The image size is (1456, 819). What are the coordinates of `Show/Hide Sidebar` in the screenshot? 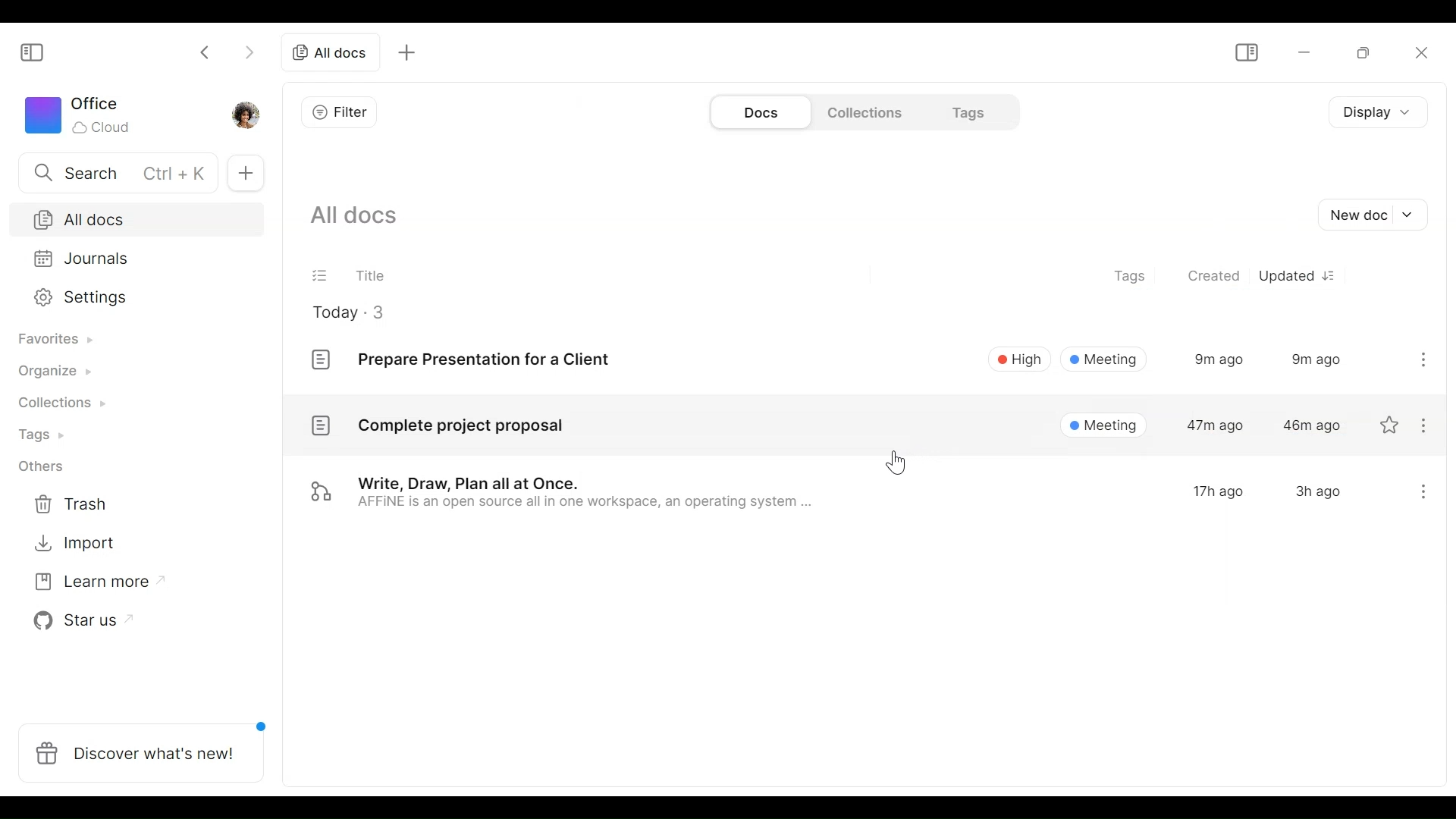 It's located at (1248, 52).